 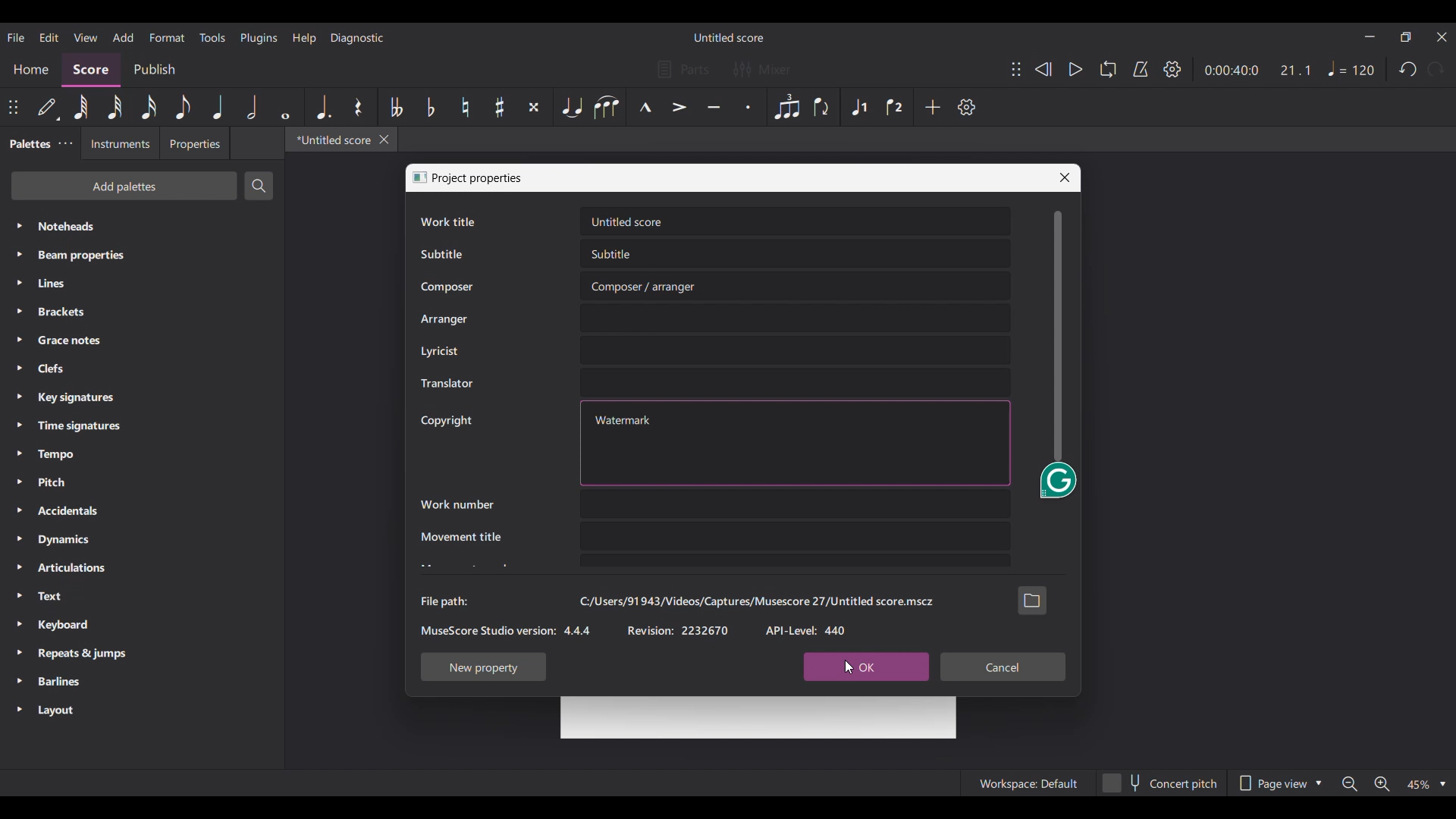 What do you see at coordinates (966, 107) in the screenshot?
I see `Settings` at bounding box center [966, 107].